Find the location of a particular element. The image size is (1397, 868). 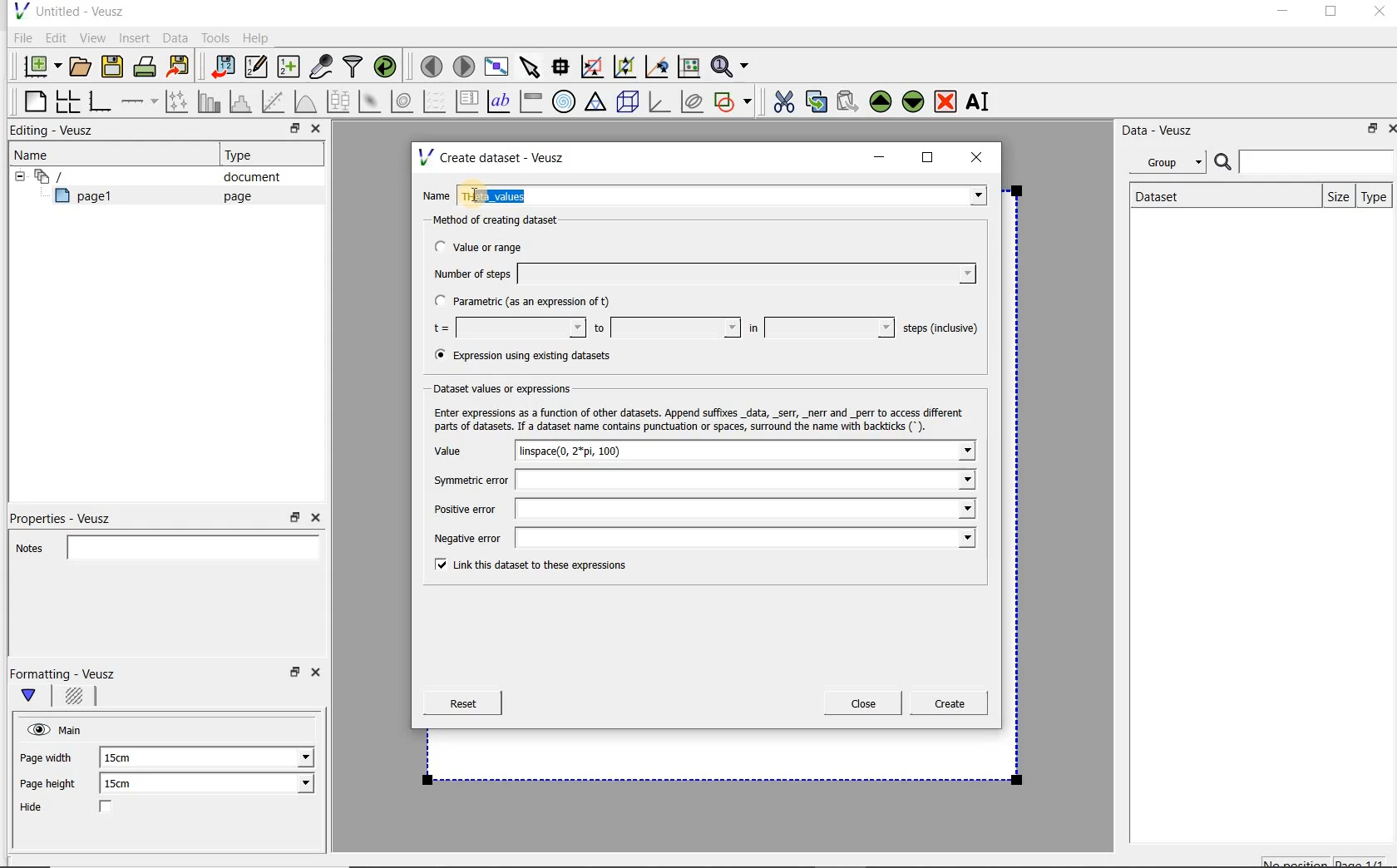

Page height dropdown is located at coordinates (294, 785).